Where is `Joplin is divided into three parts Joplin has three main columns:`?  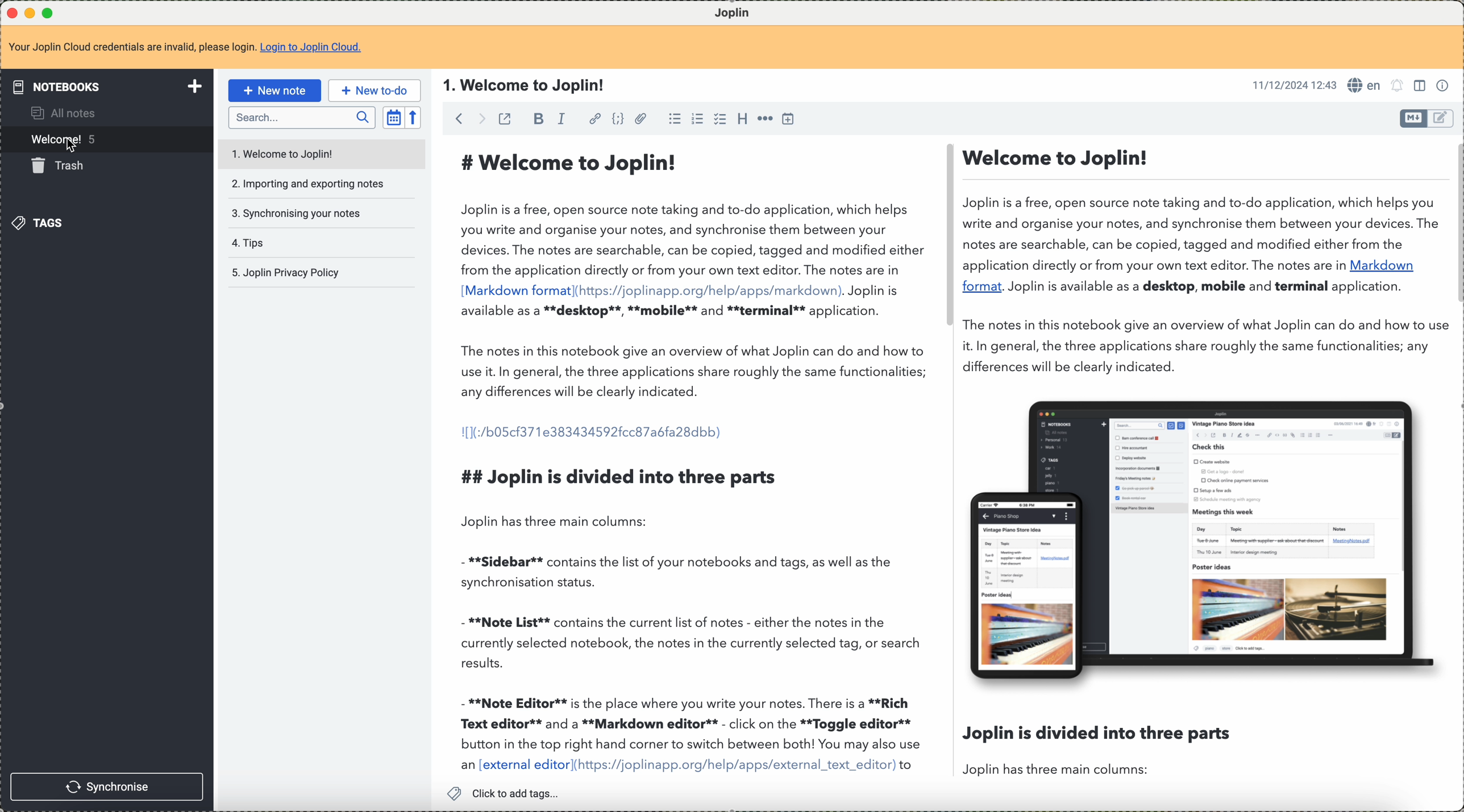
Joplin is divided into three parts Joplin has three main columns: is located at coordinates (1097, 749).